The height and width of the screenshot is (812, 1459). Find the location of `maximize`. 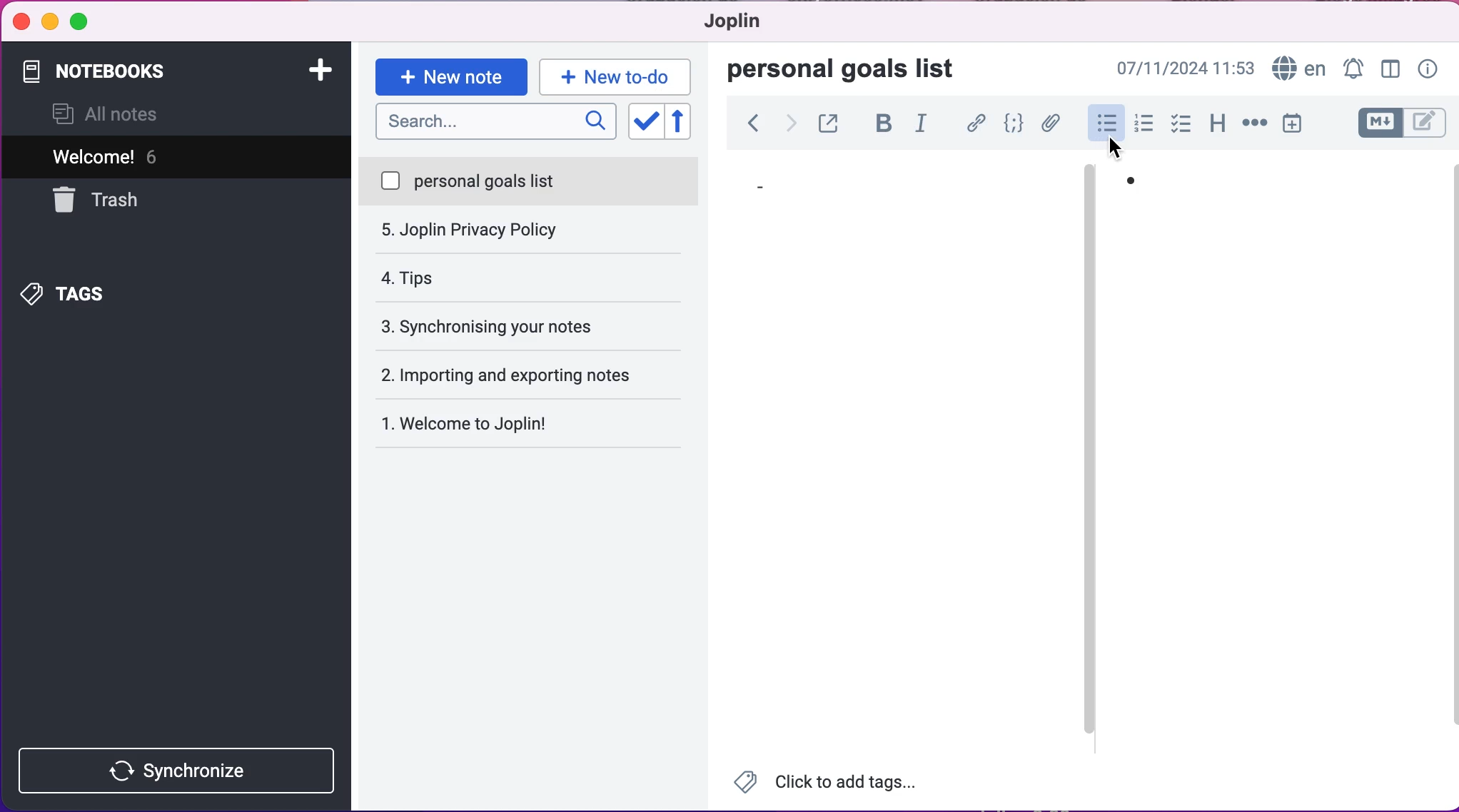

maximize is located at coordinates (85, 24).